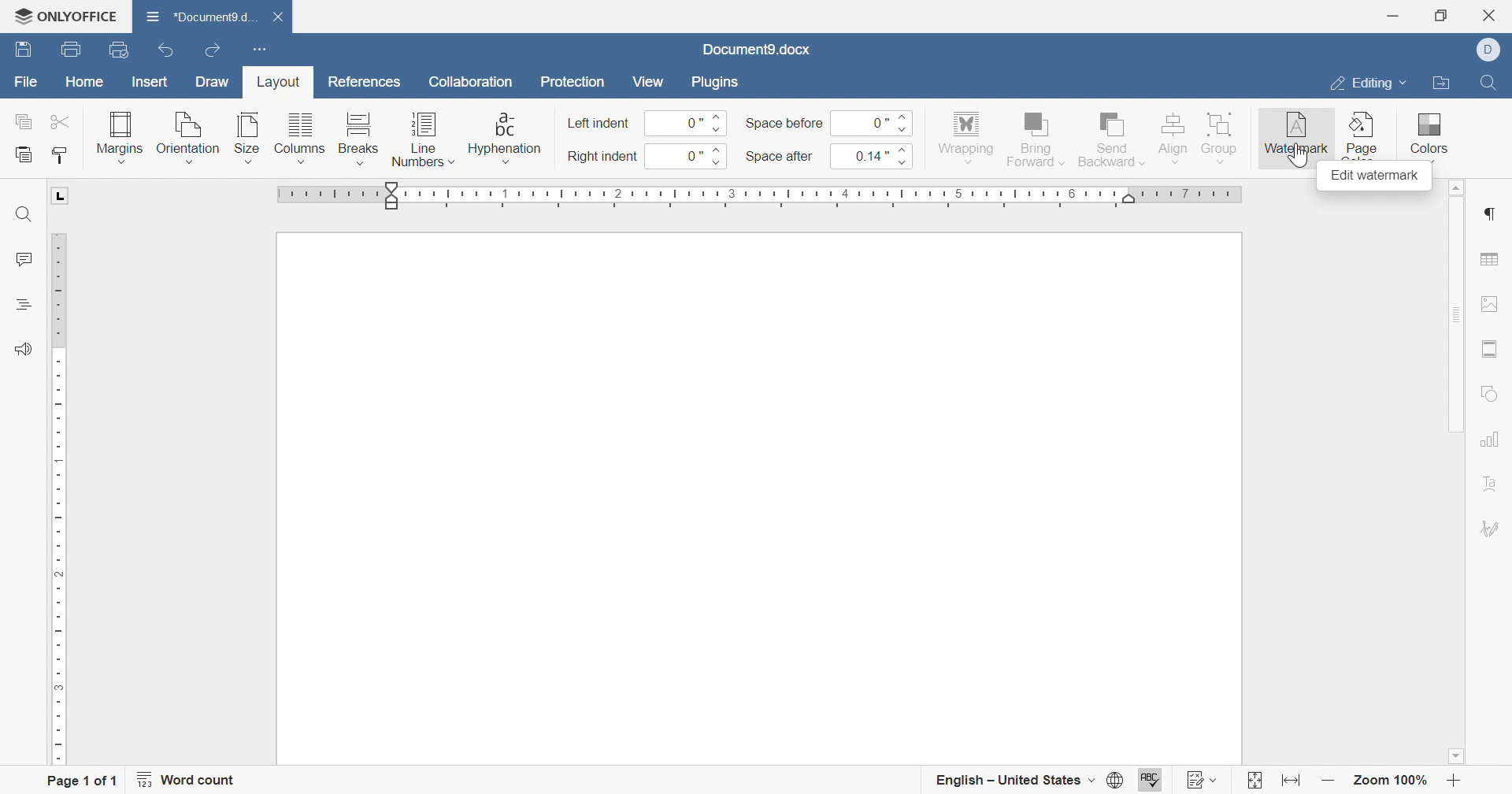 The image size is (1512, 794). I want to click on fit to width, so click(1288, 784).